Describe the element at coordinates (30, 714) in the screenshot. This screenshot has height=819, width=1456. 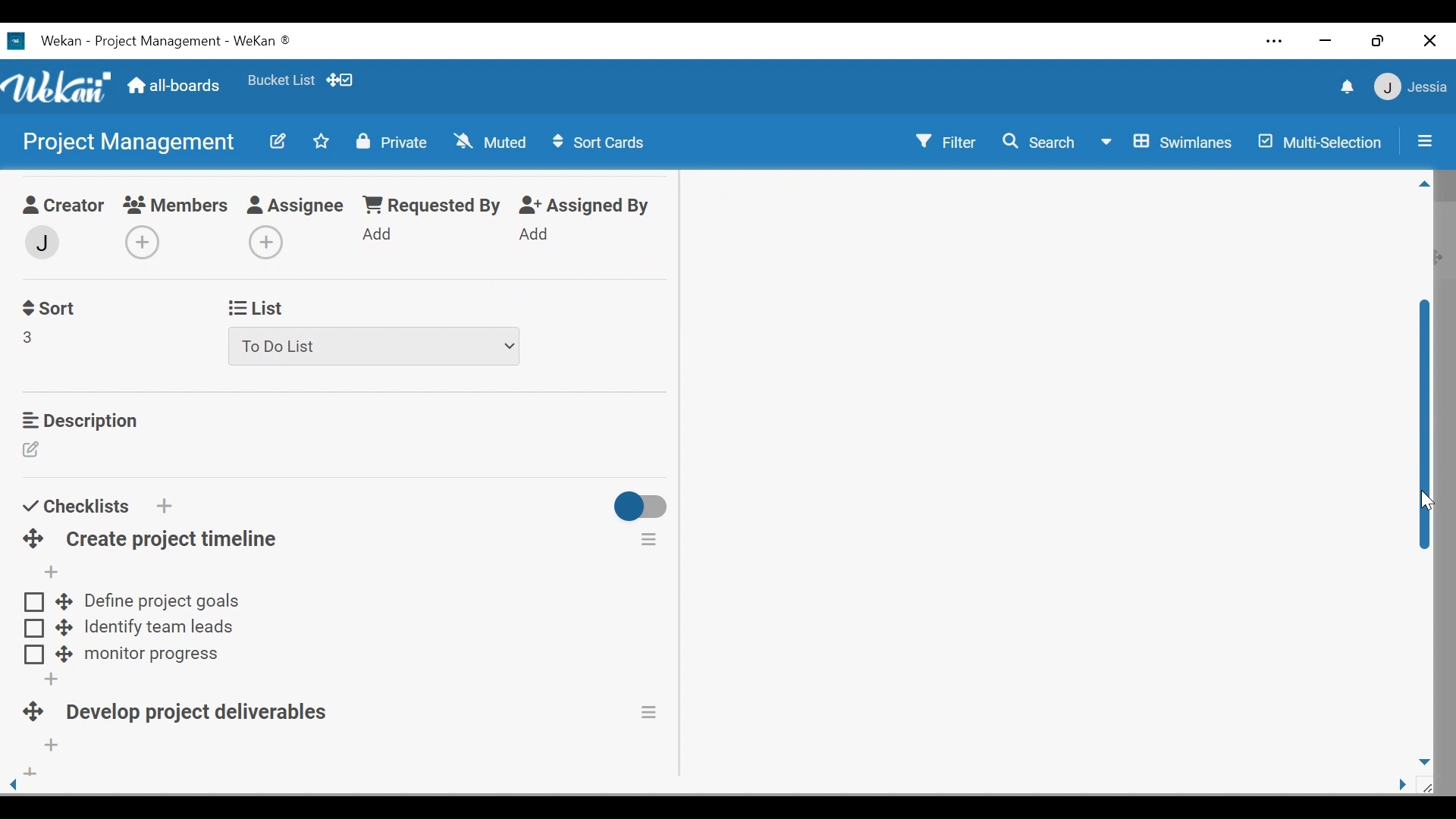
I see `Desktop drag handles` at that location.